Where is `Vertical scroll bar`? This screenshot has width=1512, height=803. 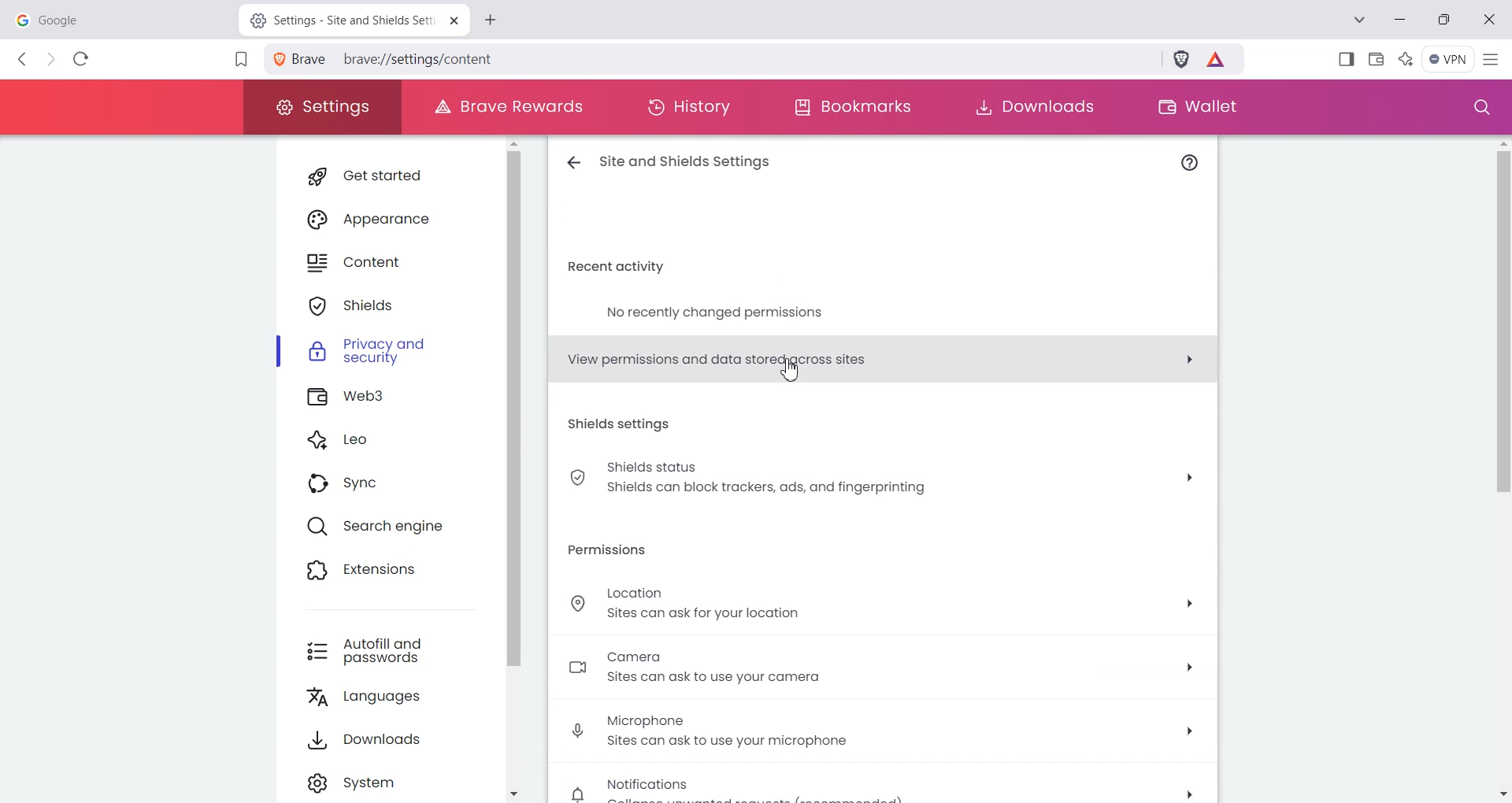 Vertical scroll bar is located at coordinates (1503, 470).